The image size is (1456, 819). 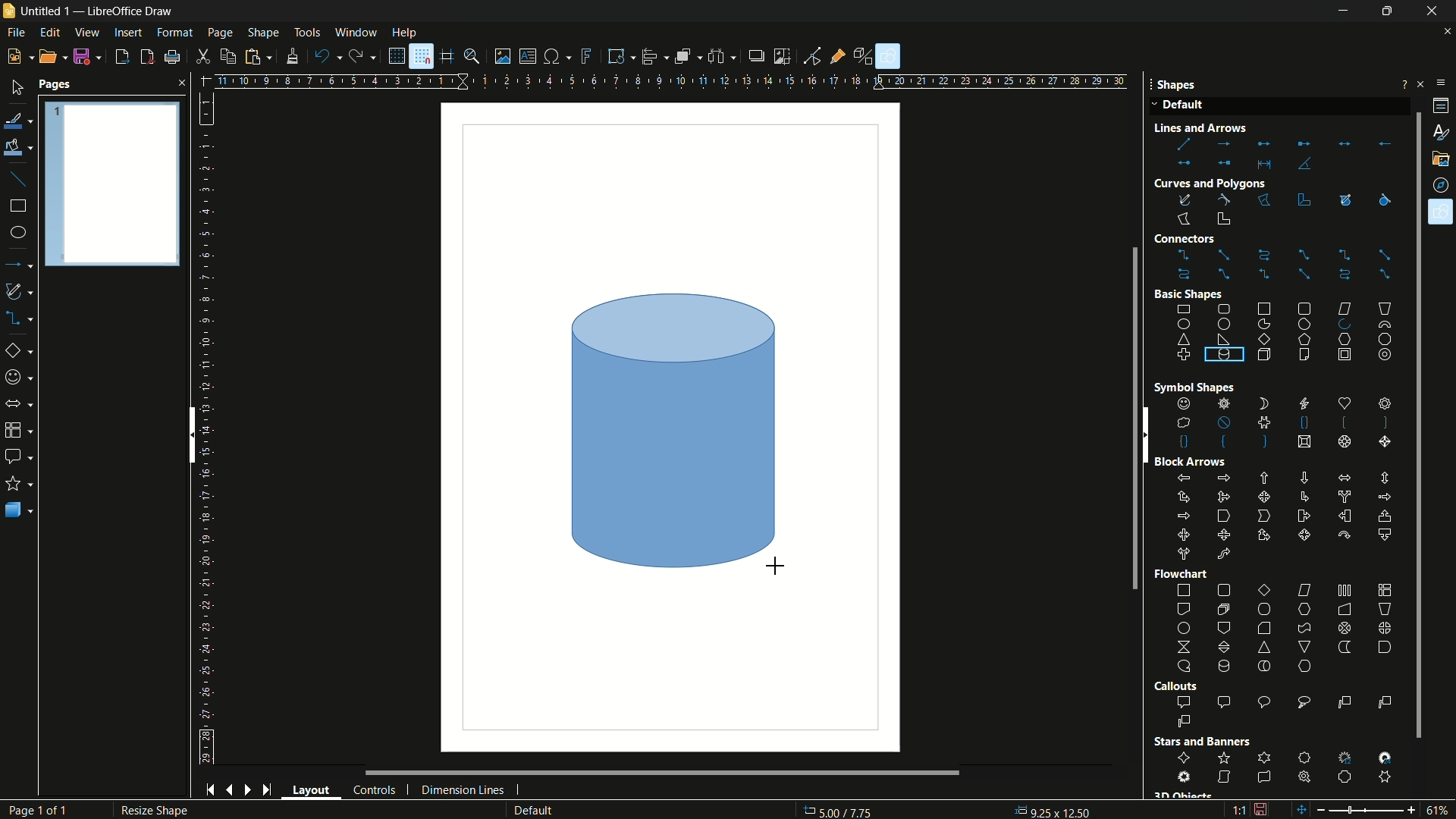 I want to click on line color, so click(x=17, y=122).